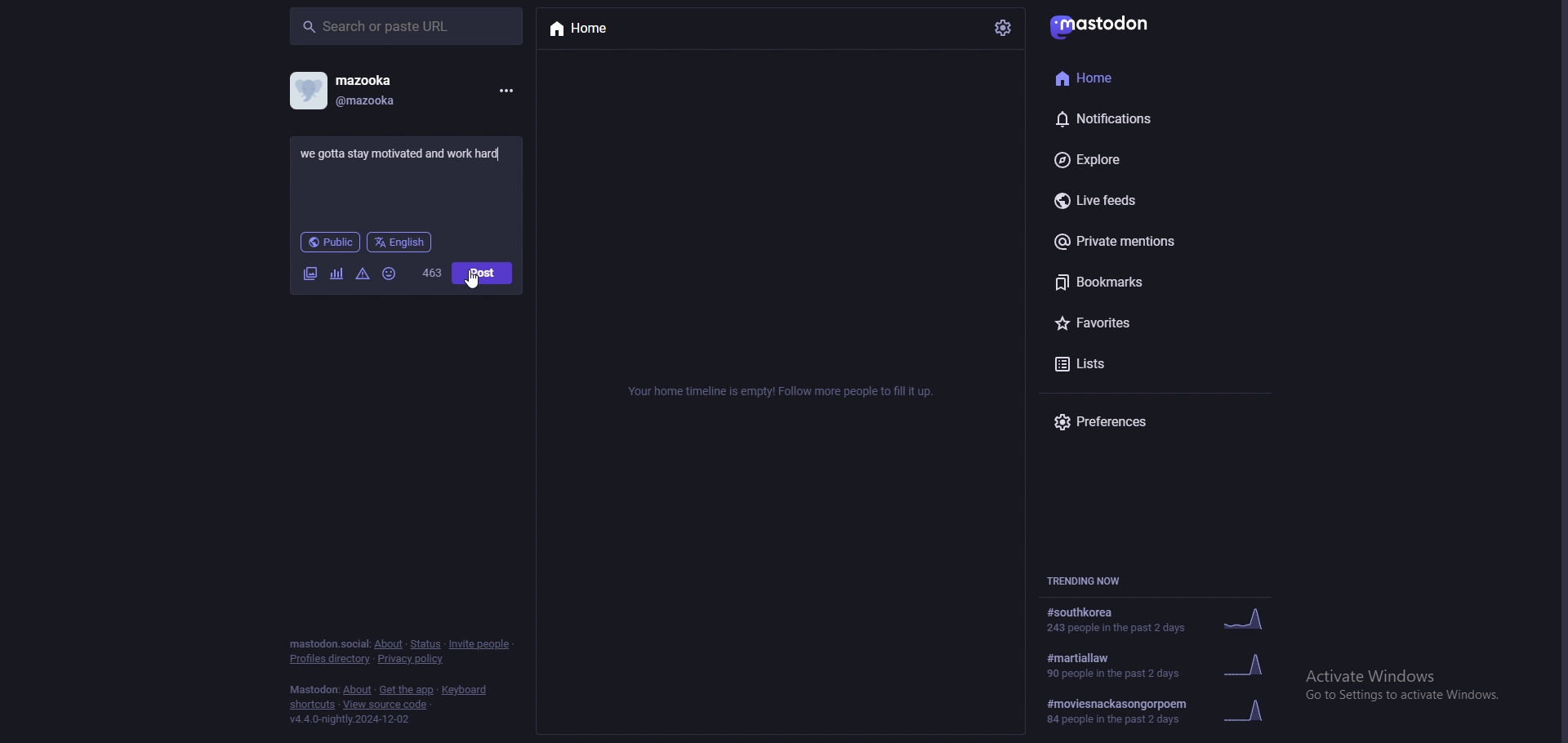  What do you see at coordinates (406, 26) in the screenshot?
I see `search bar` at bounding box center [406, 26].